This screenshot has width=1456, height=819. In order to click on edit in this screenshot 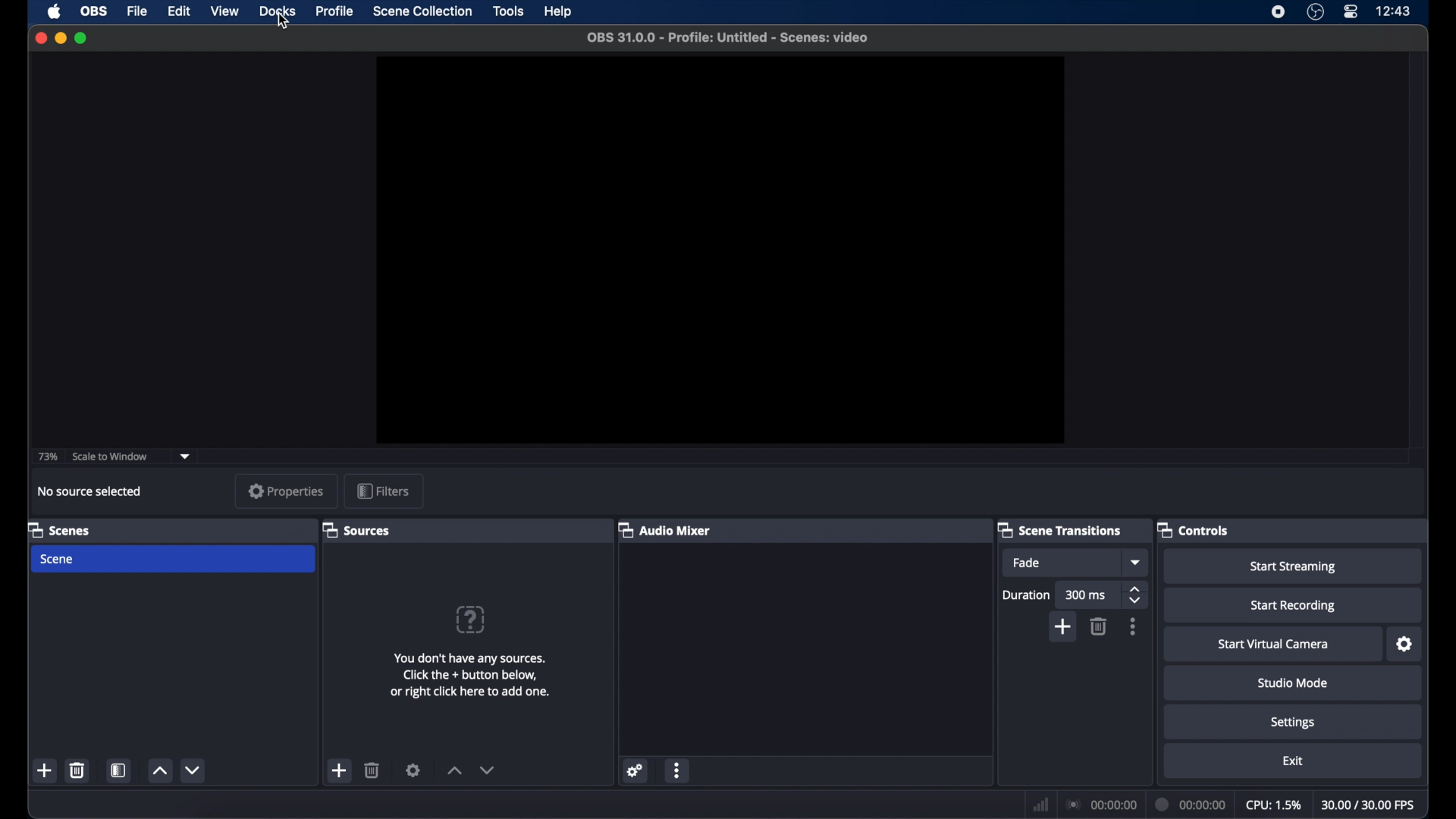, I will do `click(178, 11)`.